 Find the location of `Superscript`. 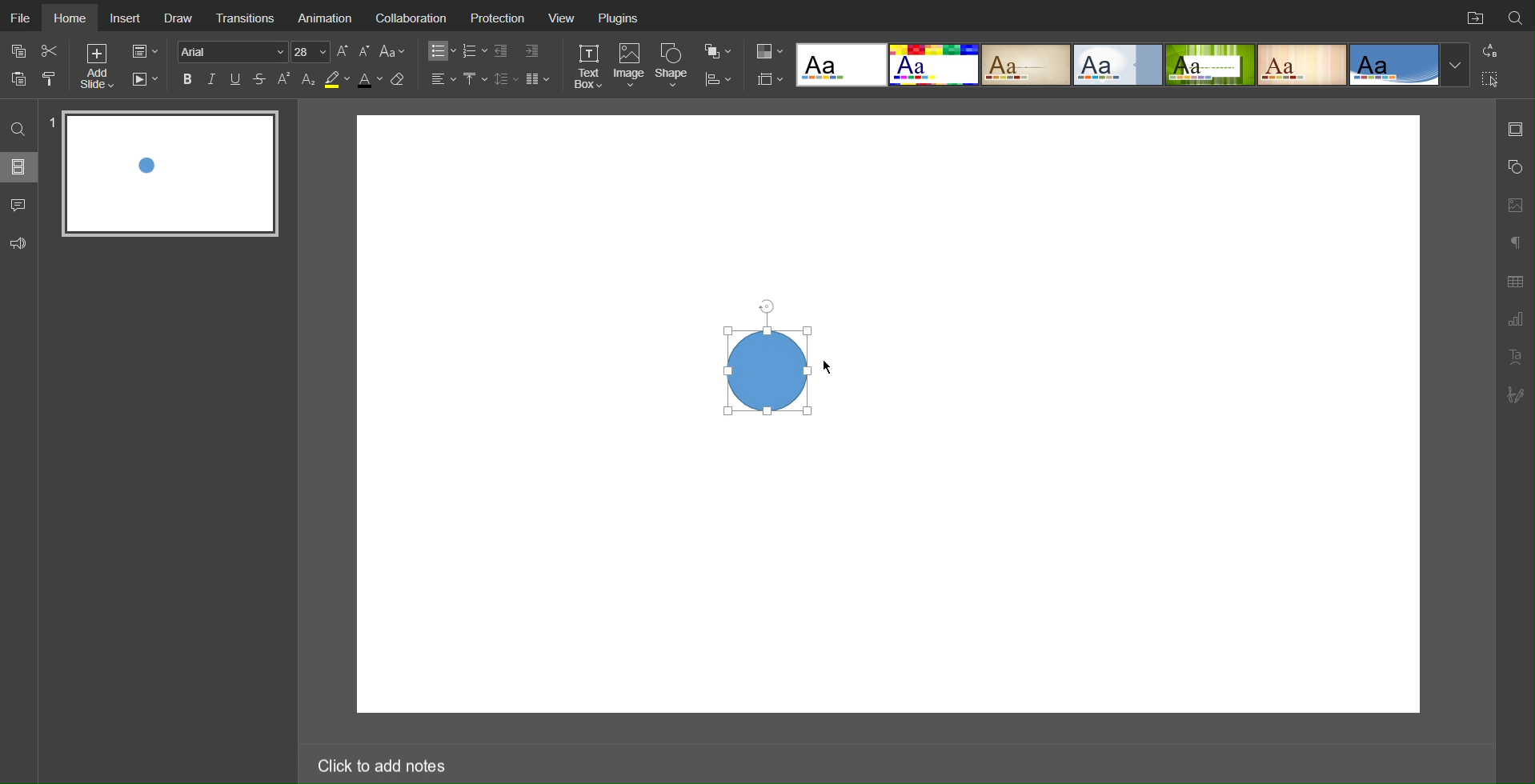

Superscript is located at coordinates (285, 79).